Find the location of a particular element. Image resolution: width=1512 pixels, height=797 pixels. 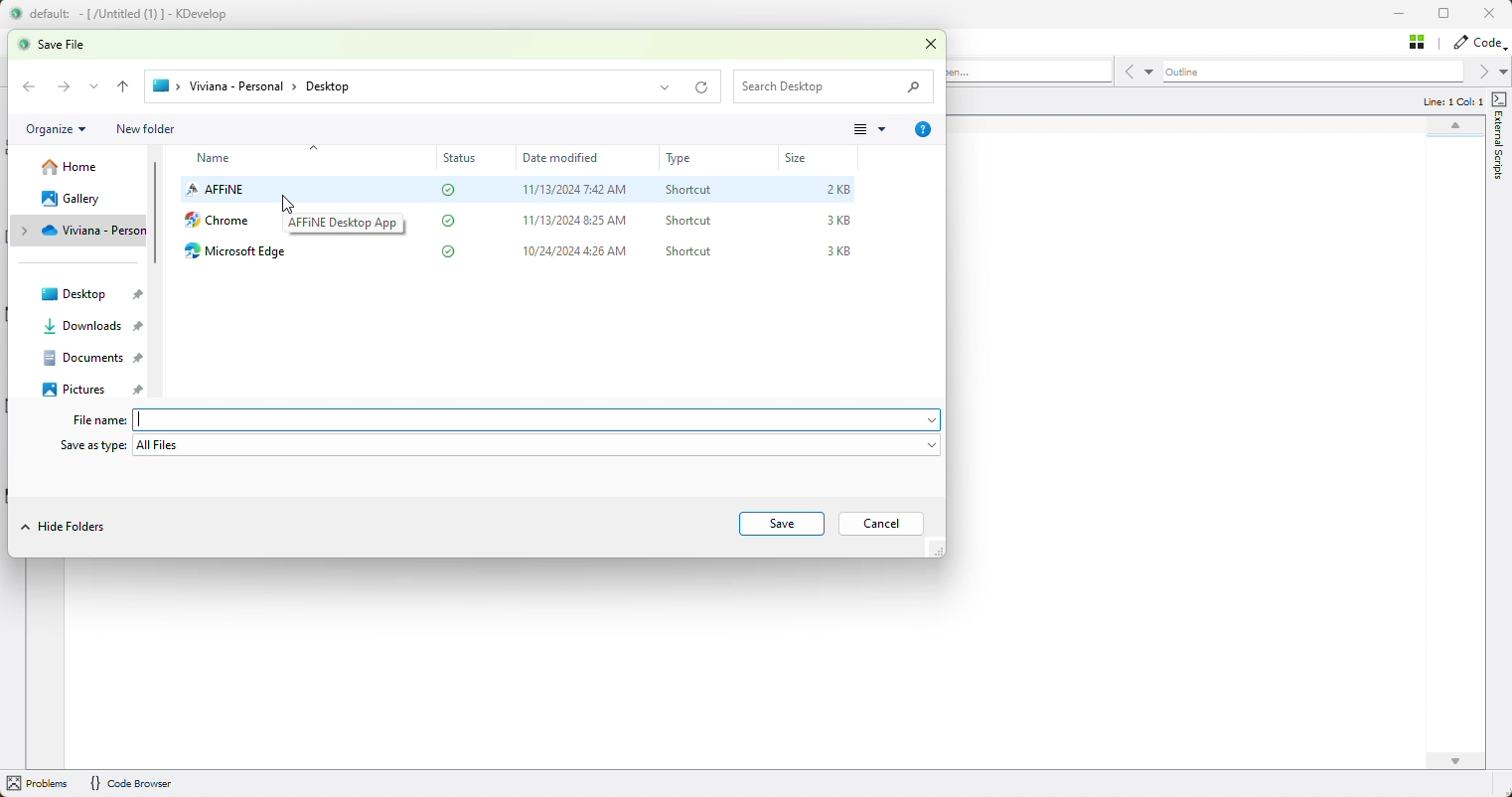

affine desktop app is located at coordinates (345, 225).